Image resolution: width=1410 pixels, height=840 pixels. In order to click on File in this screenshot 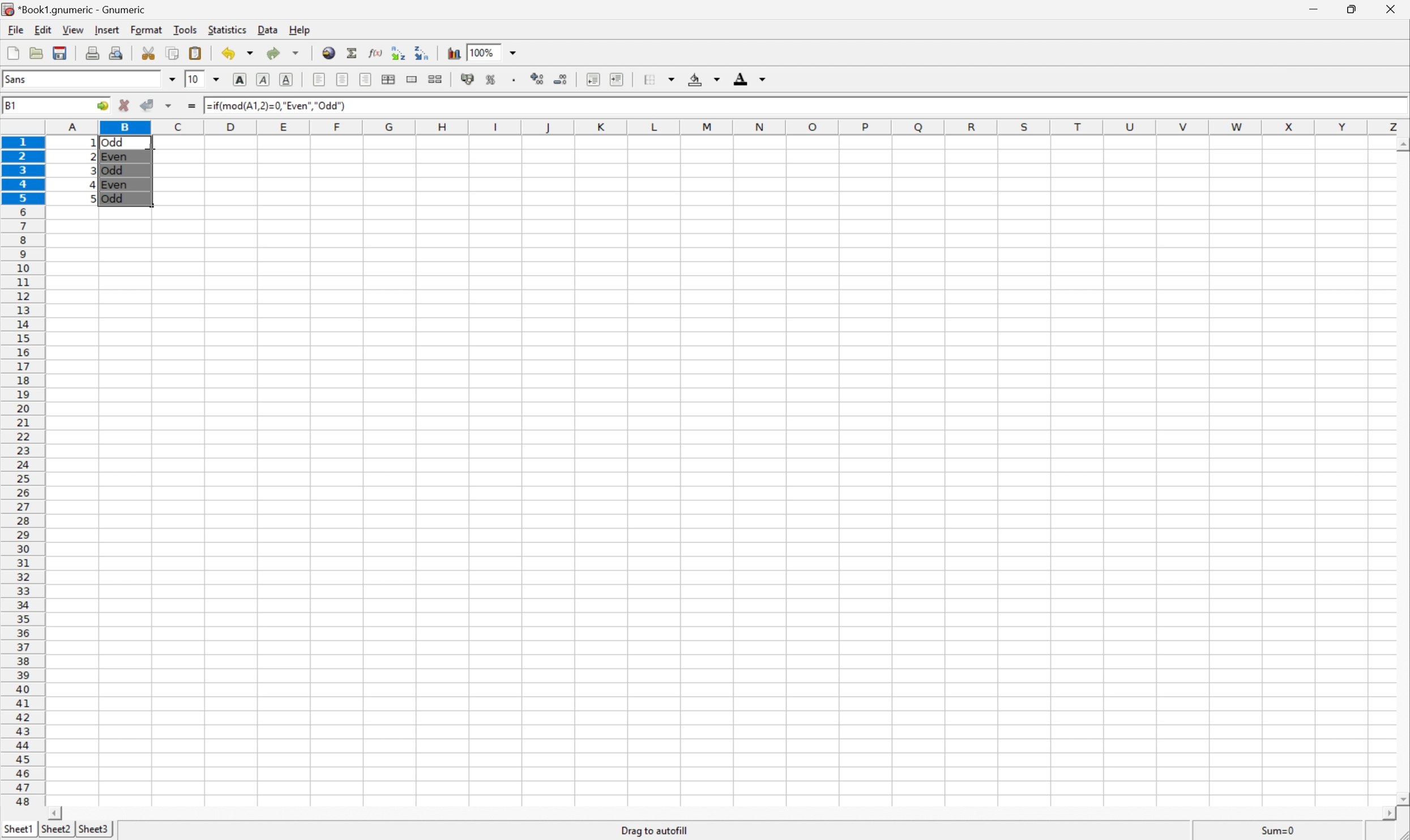, I will do `click(15, 31)`.